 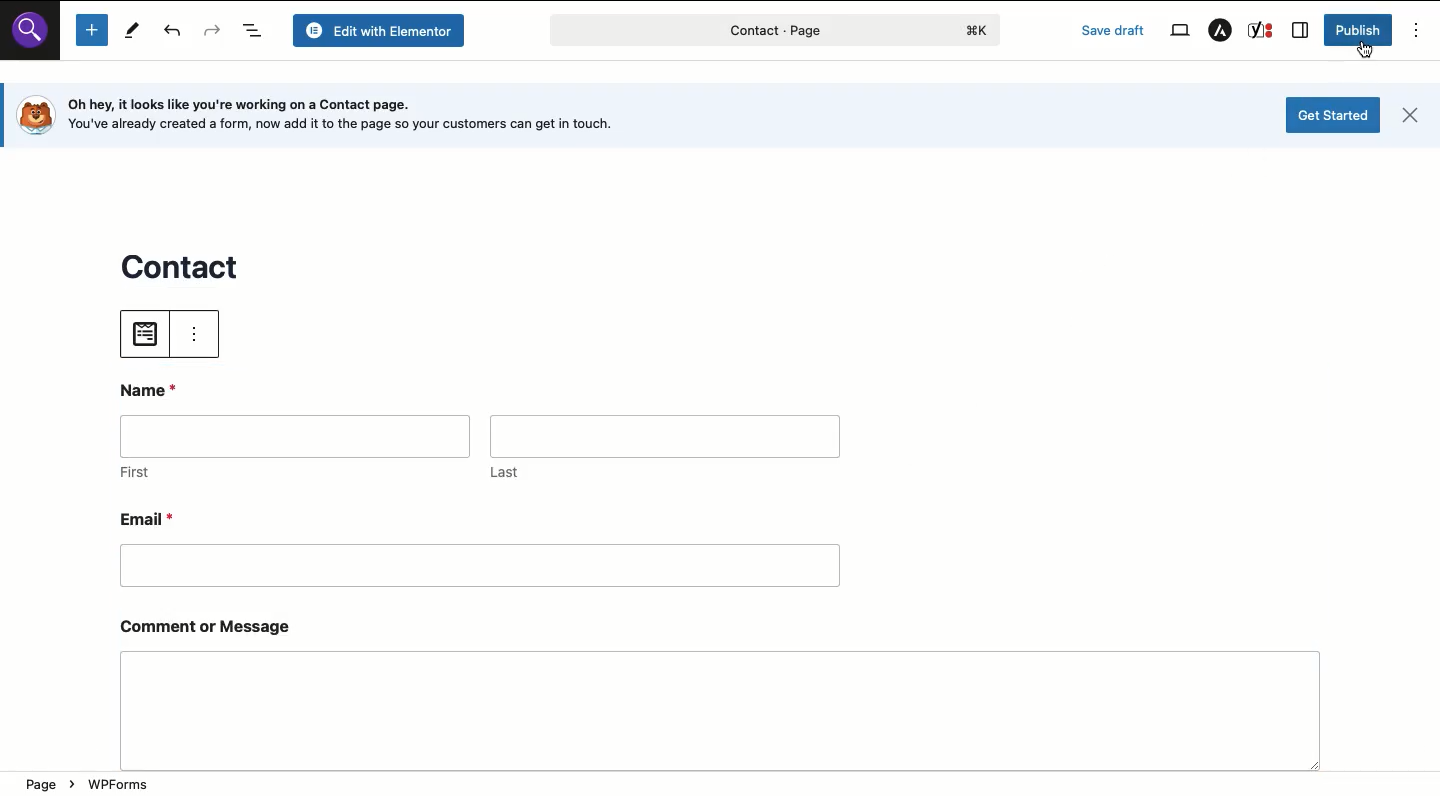 I want to click on Tools, so click(x=130, y=30).